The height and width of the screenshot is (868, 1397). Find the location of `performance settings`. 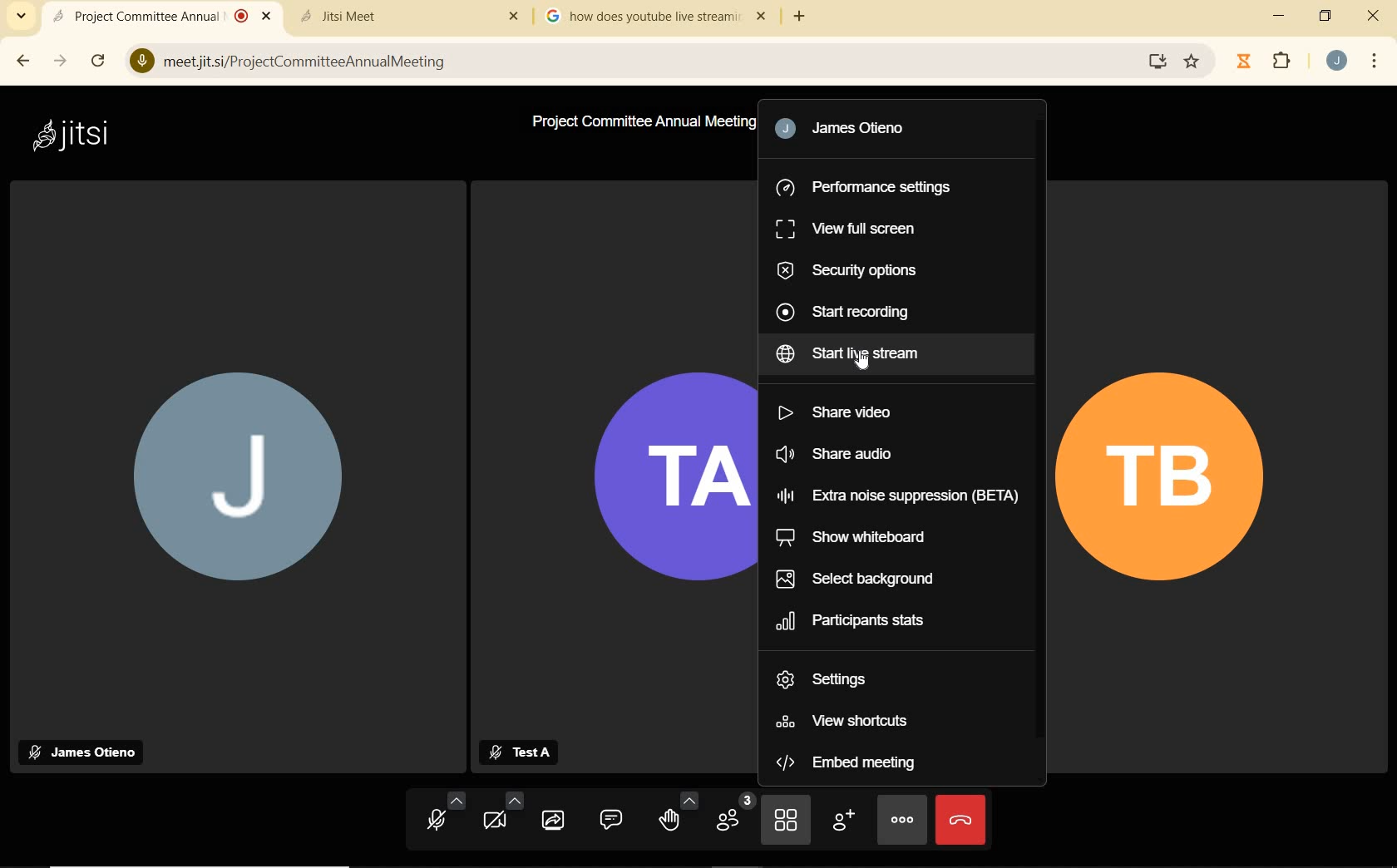

performance settings is located at coordinates (871, 190).